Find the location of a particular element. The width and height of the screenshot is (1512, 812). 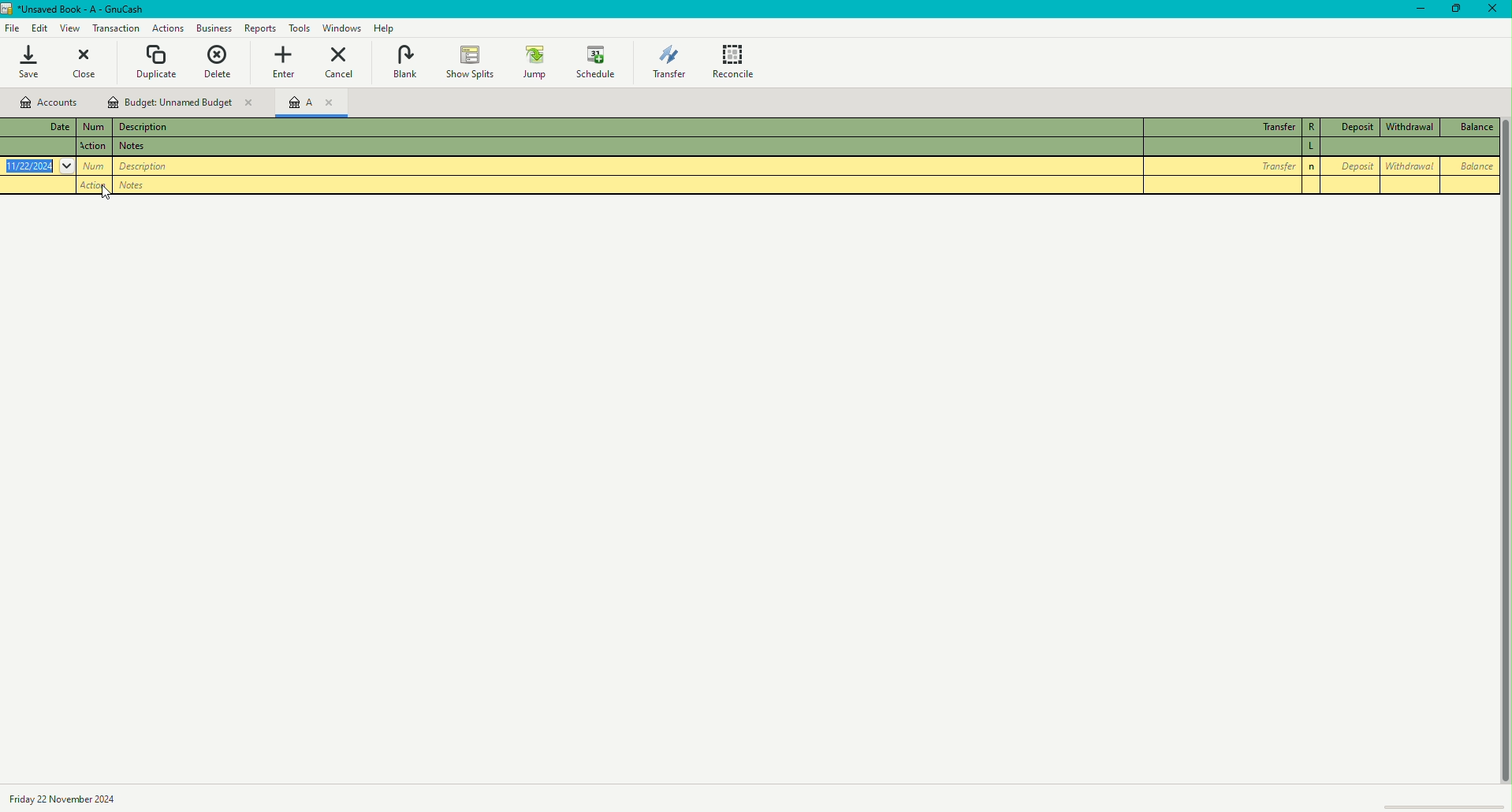

Reconcile is located at coordinates (737, 61).